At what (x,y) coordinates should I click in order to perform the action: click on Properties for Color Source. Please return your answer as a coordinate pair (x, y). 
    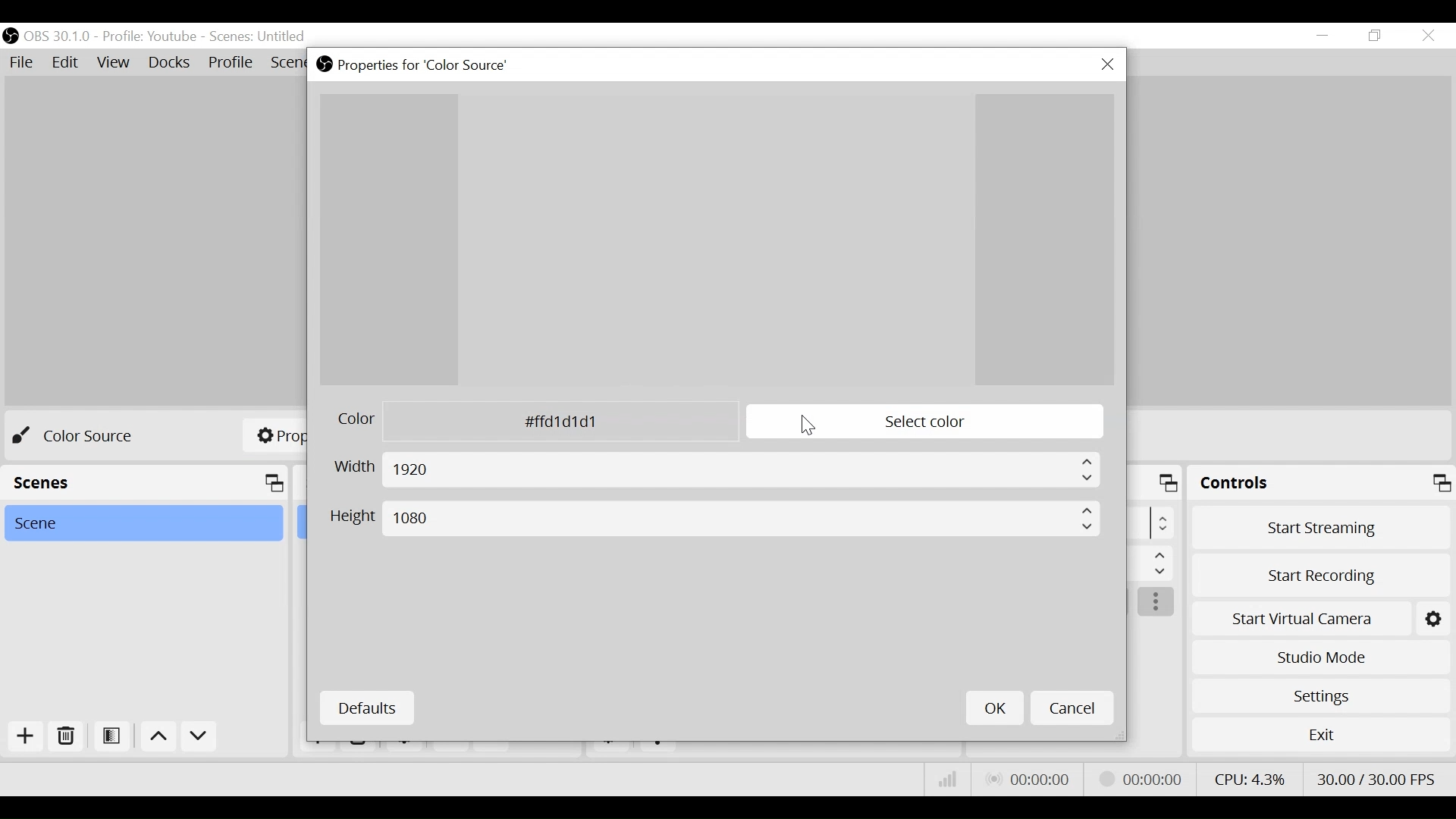
    Looking at the image, I should click on (422, 65).